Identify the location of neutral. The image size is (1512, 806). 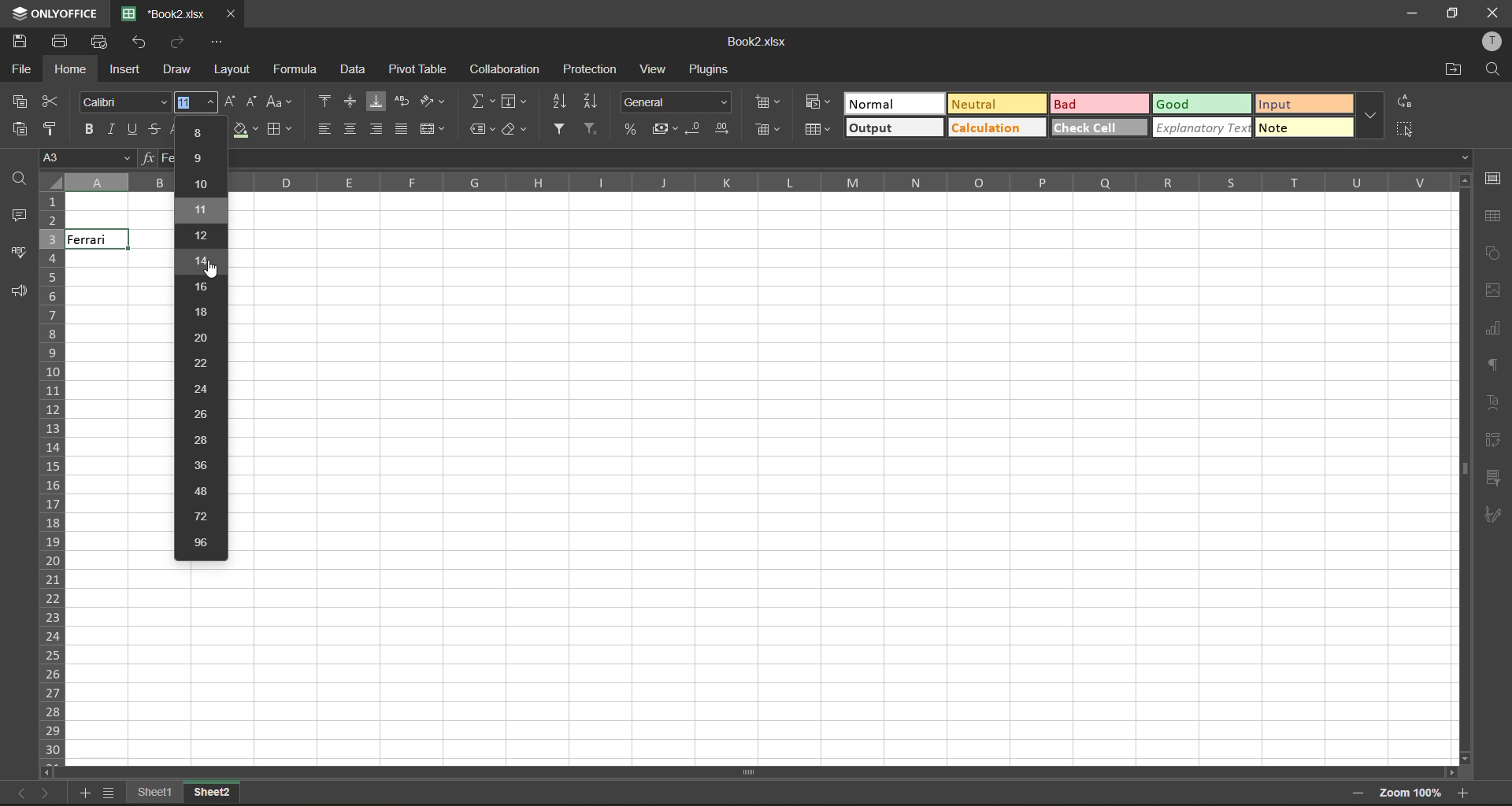
(997, 104).